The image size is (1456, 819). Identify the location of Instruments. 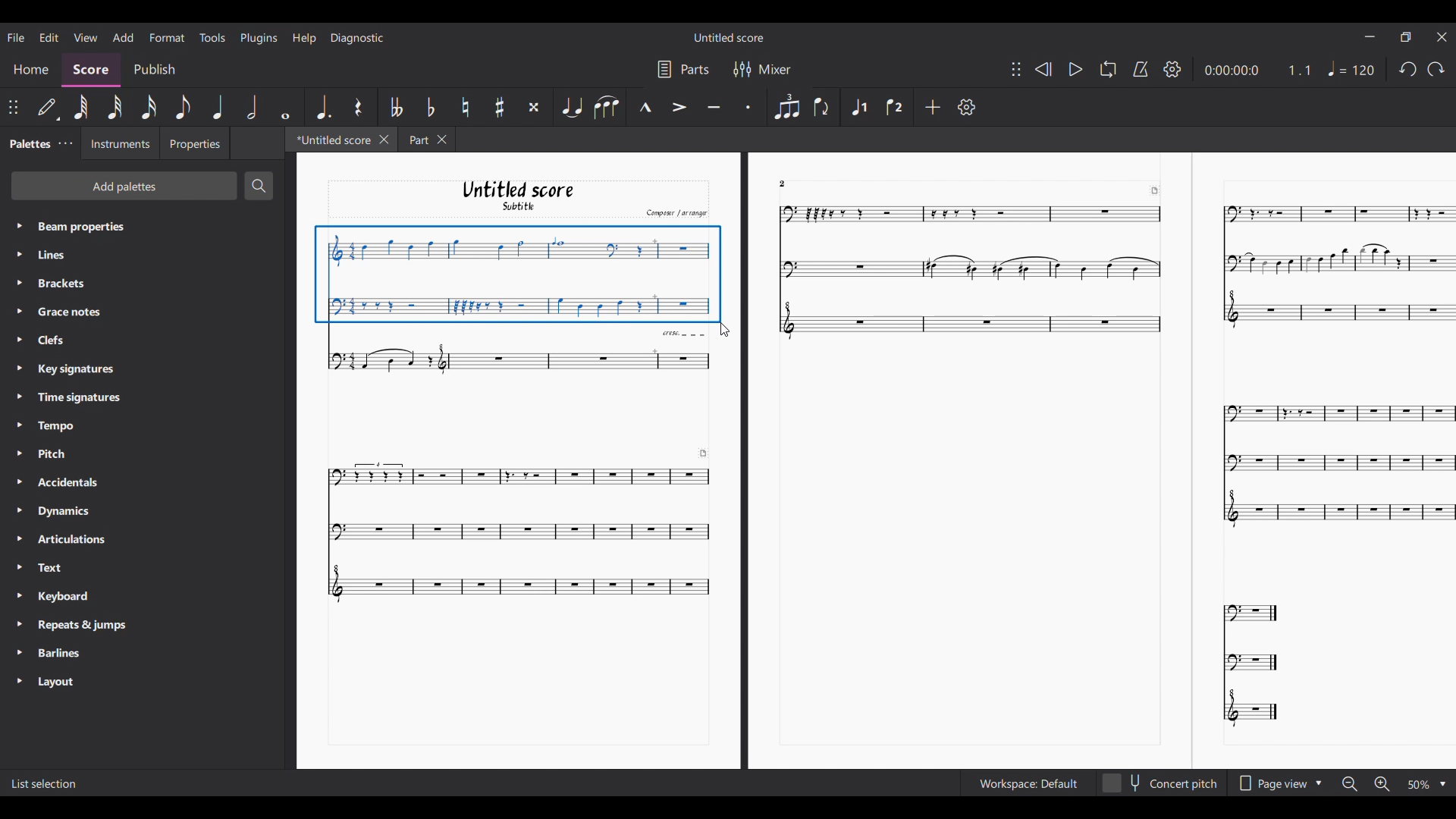
(119, 144).